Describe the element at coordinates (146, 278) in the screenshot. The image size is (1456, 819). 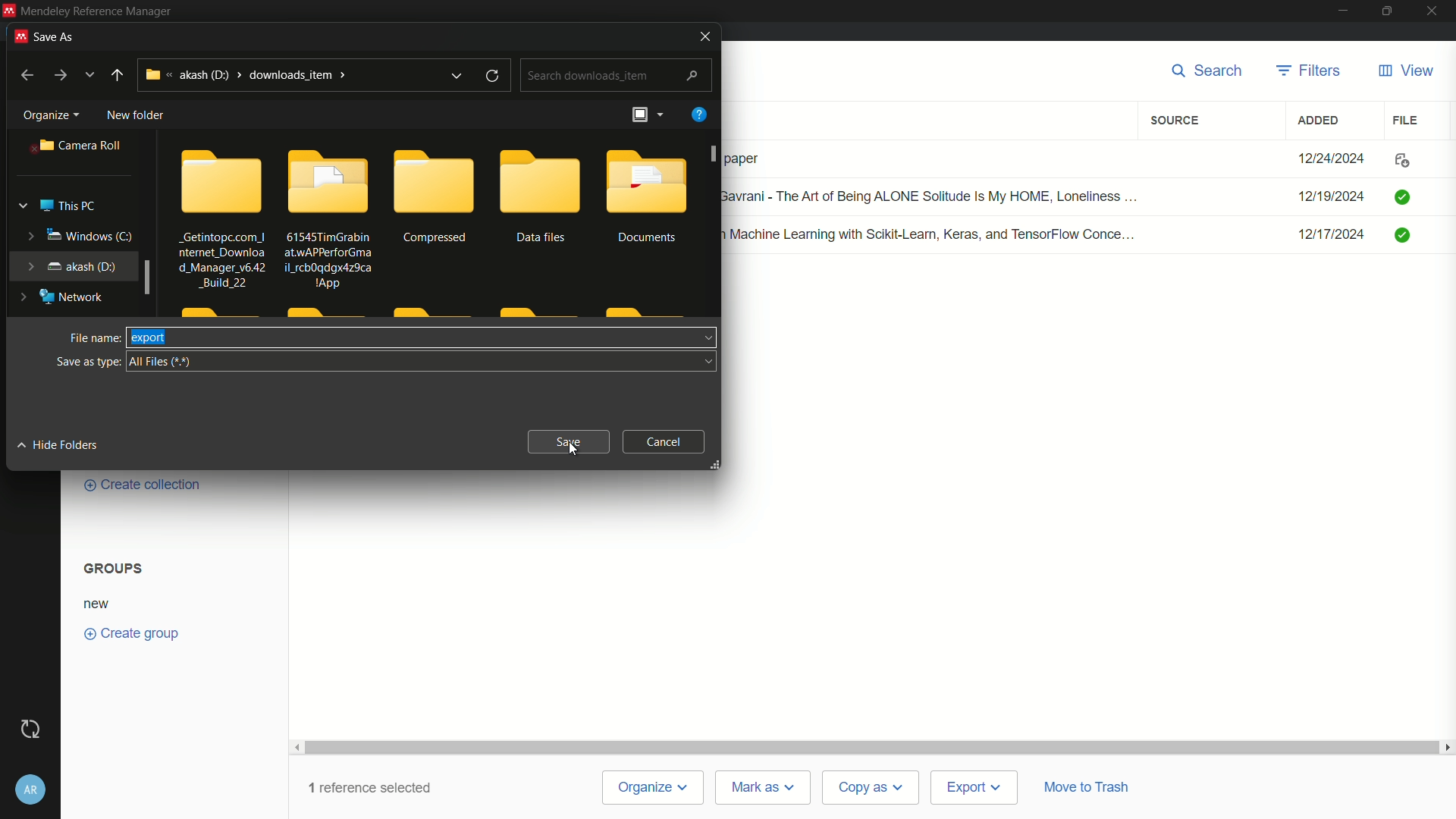
I see `scroll bar` at that location.